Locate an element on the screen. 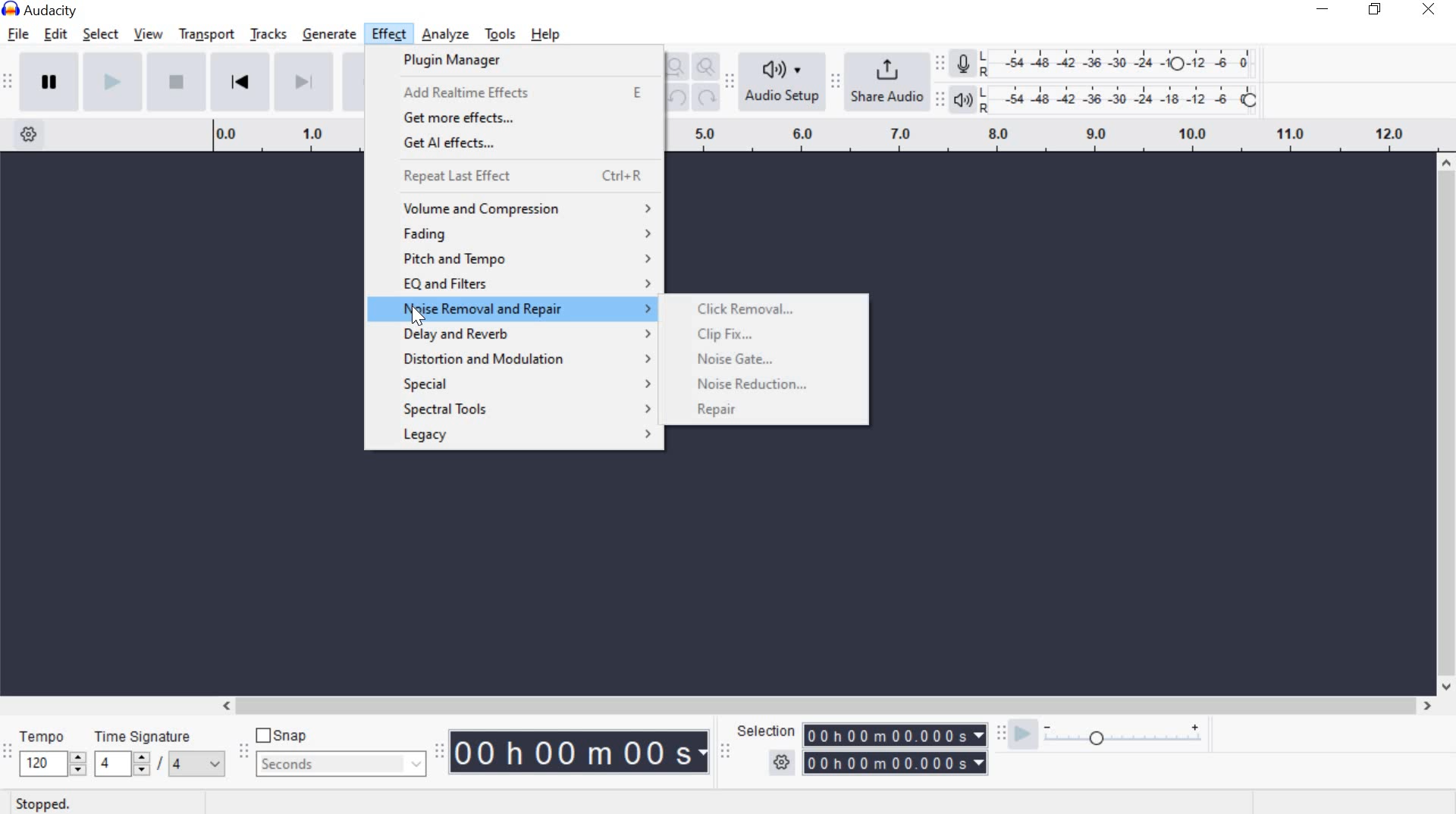 The image size is (1456, 814). Transport Toolbar is located at coordinates (9, 83).